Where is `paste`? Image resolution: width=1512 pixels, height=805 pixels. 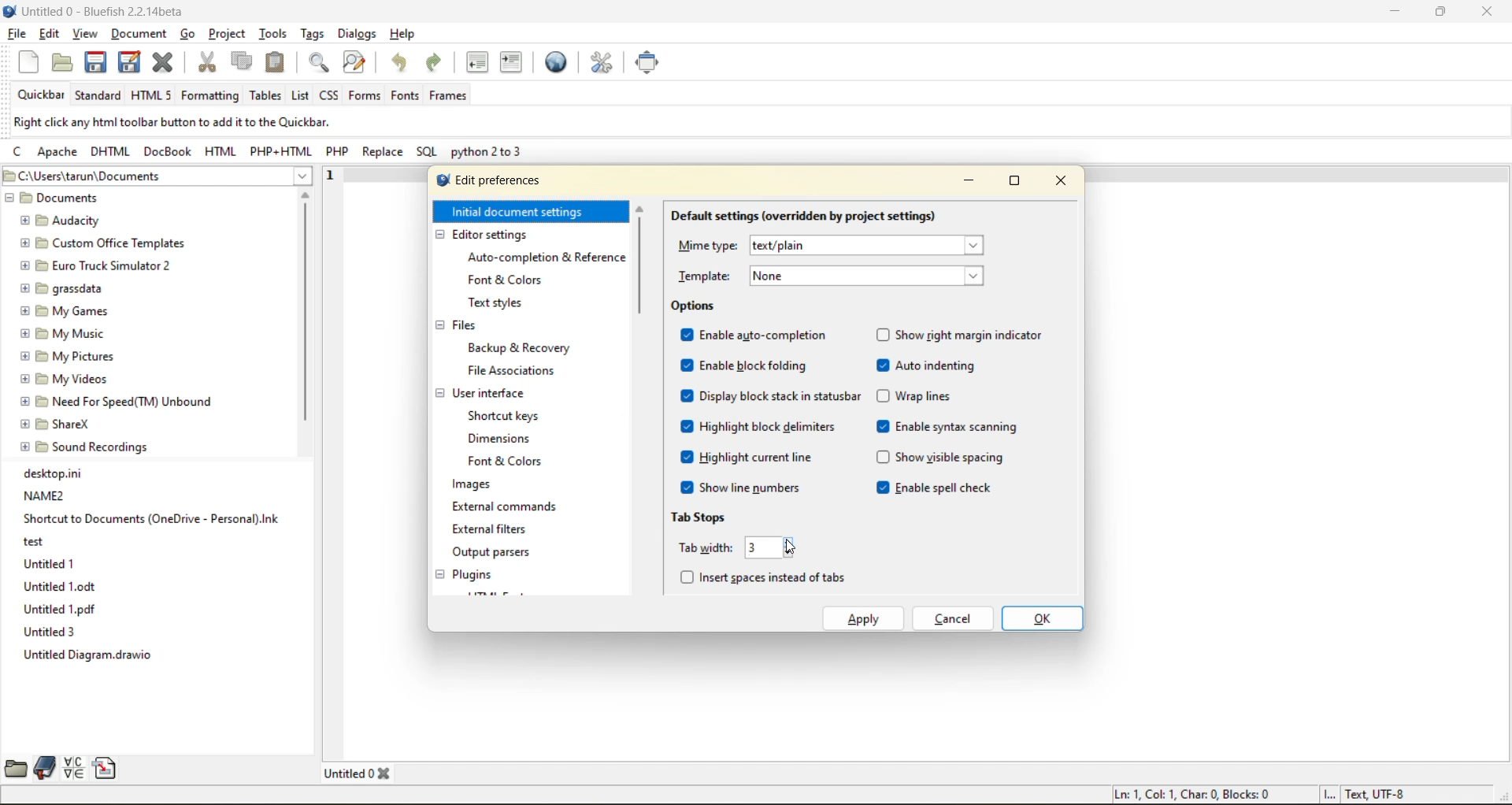
paste is located at coordinates (277, 62).